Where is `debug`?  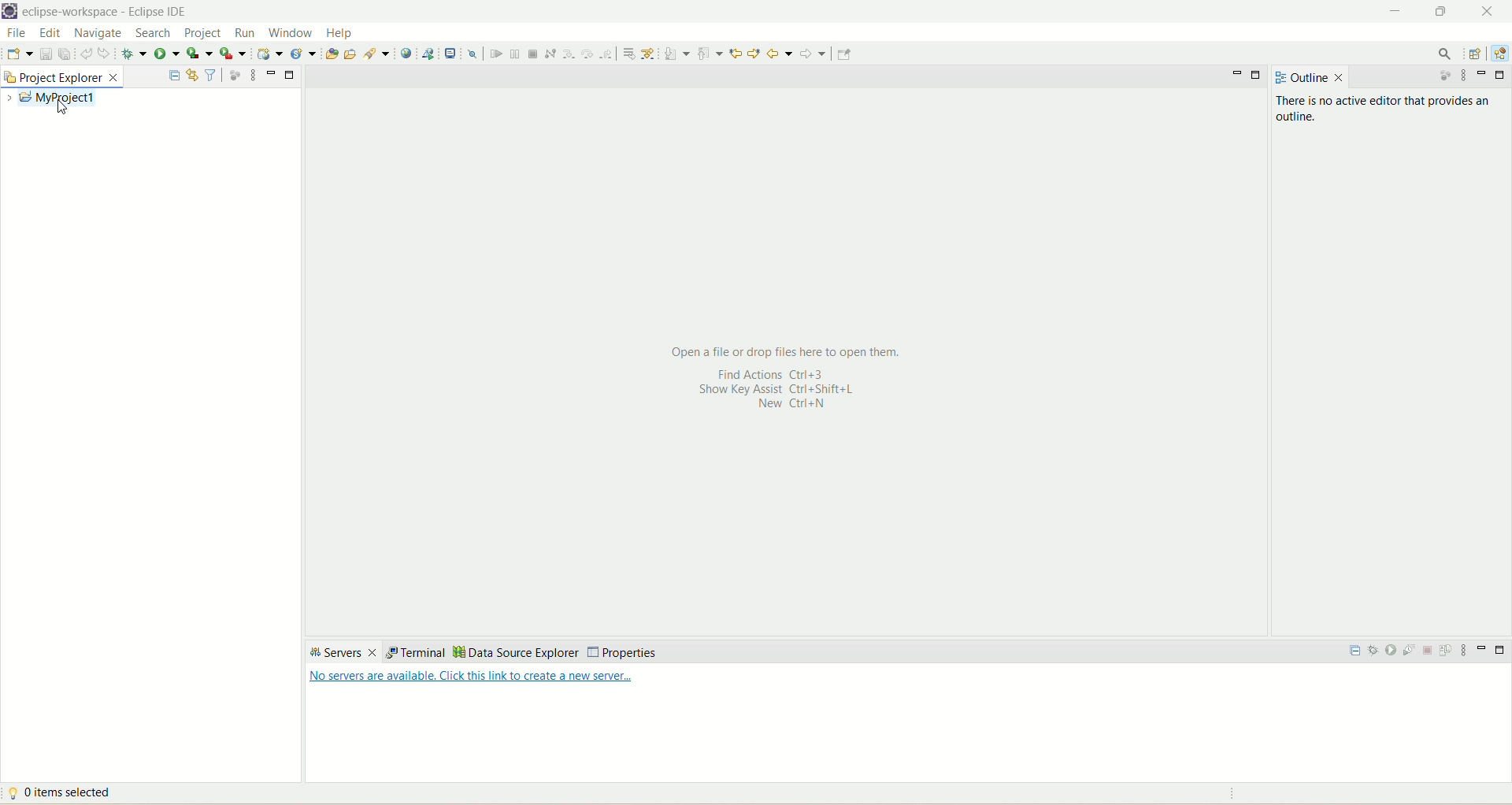 debug is located at coordinates (135, 54).